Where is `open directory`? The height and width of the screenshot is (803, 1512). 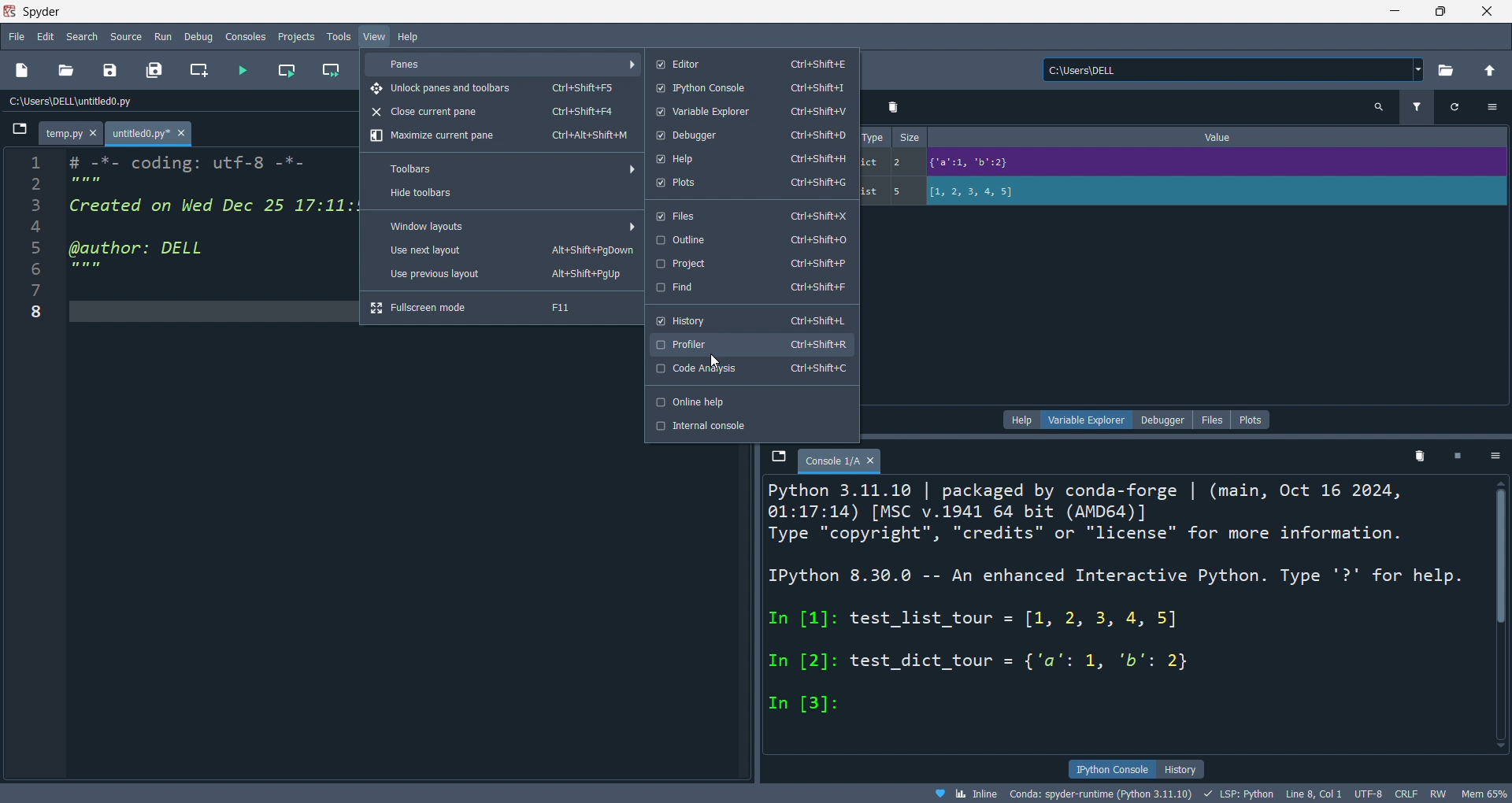
open directory is located at coordinates (1446, 69).